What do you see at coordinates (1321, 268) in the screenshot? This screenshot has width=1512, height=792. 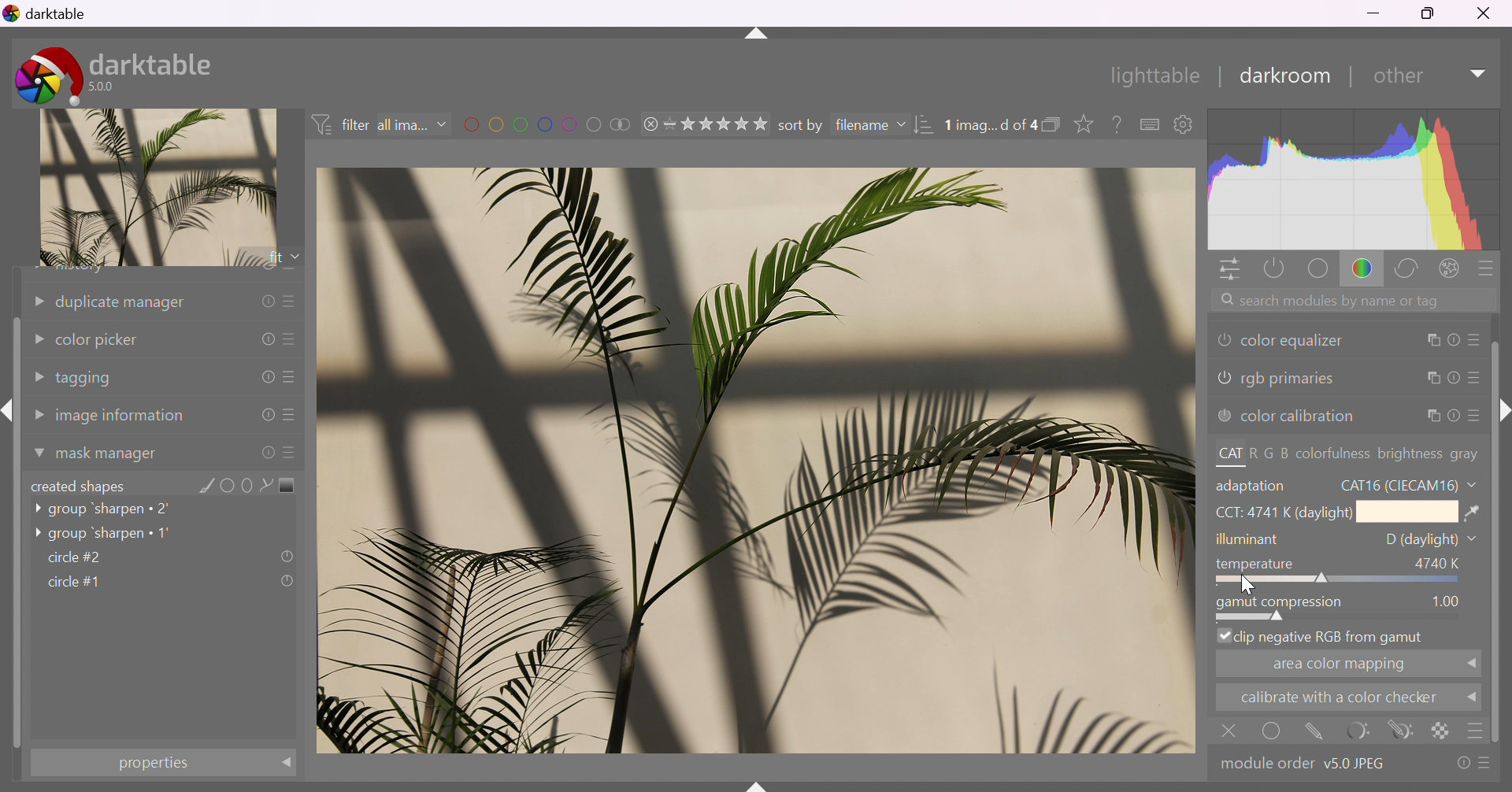 I see `base` at bounding box center [1321, 268].